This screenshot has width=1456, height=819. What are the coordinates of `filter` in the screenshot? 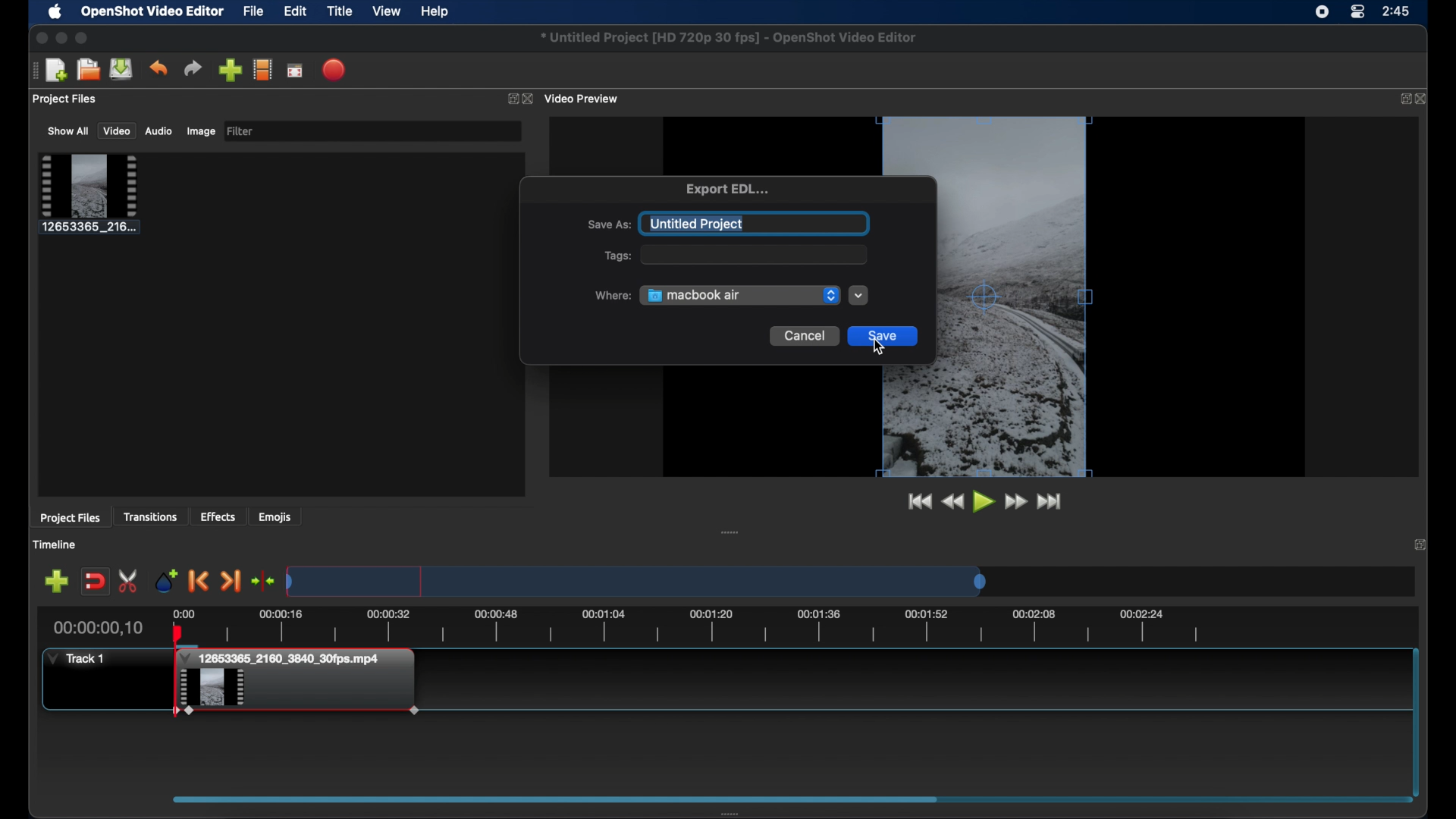 It's located at (240, 131).